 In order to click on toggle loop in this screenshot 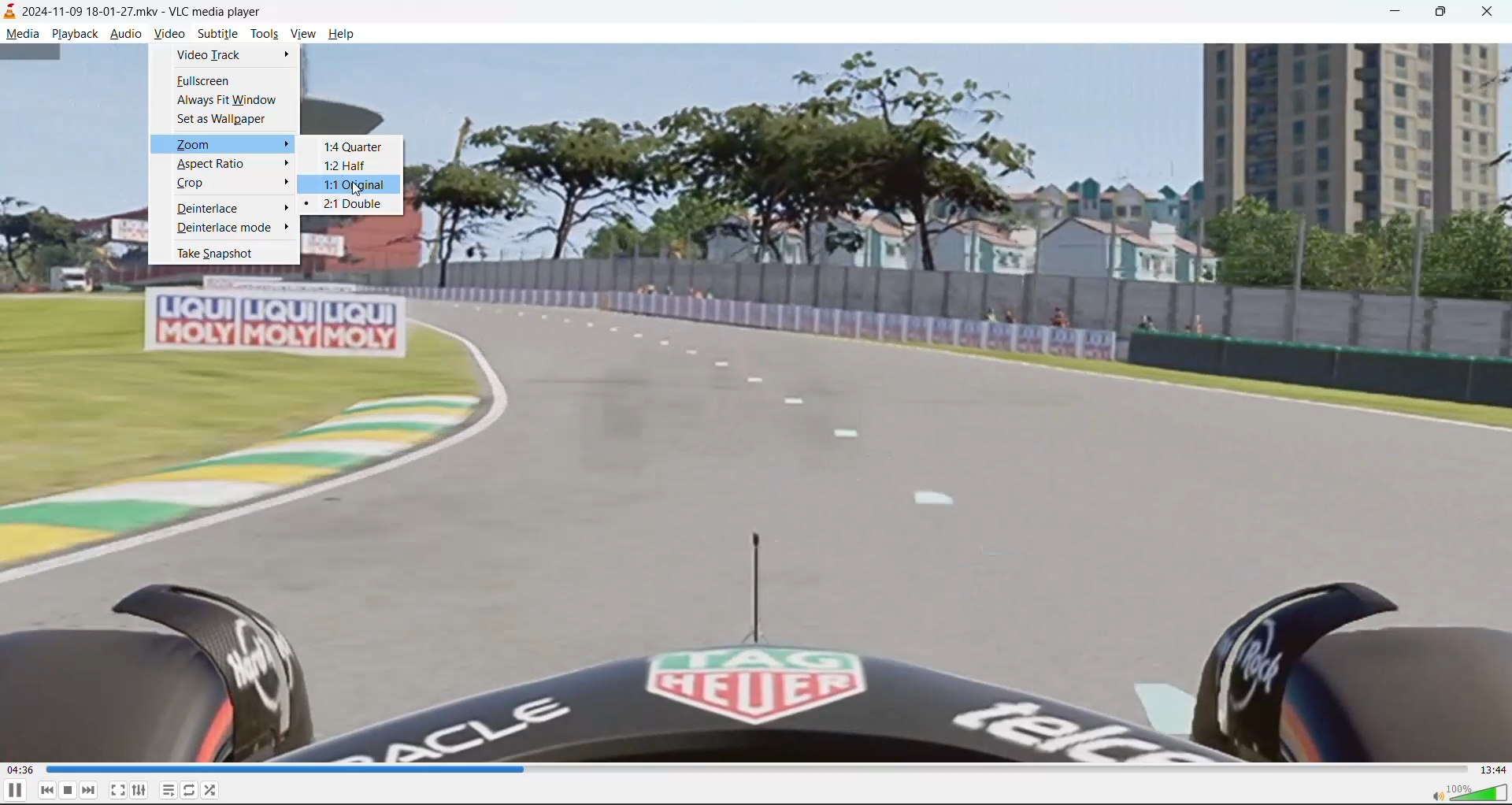, I will do `click(189, 788)`.